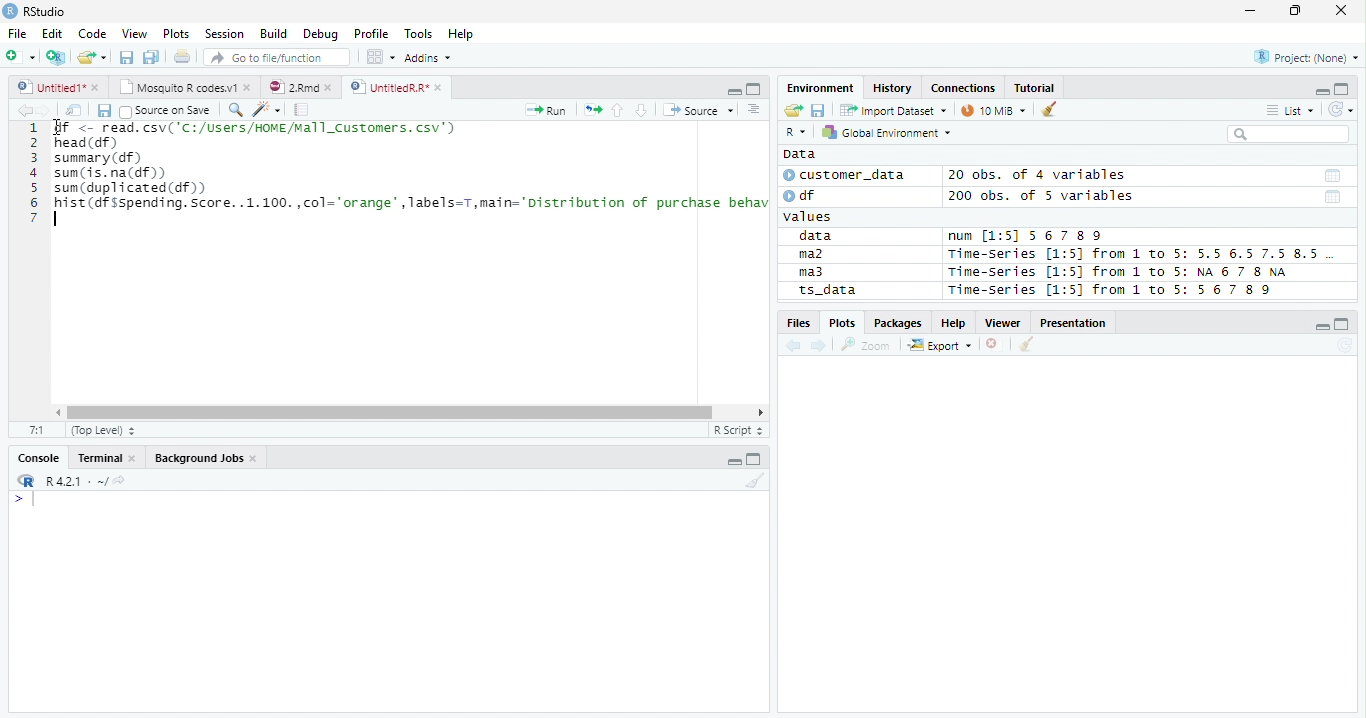 Image resolution: width=1366 pixels, height=718 pixels. I want to click on View, so click(136, 33).